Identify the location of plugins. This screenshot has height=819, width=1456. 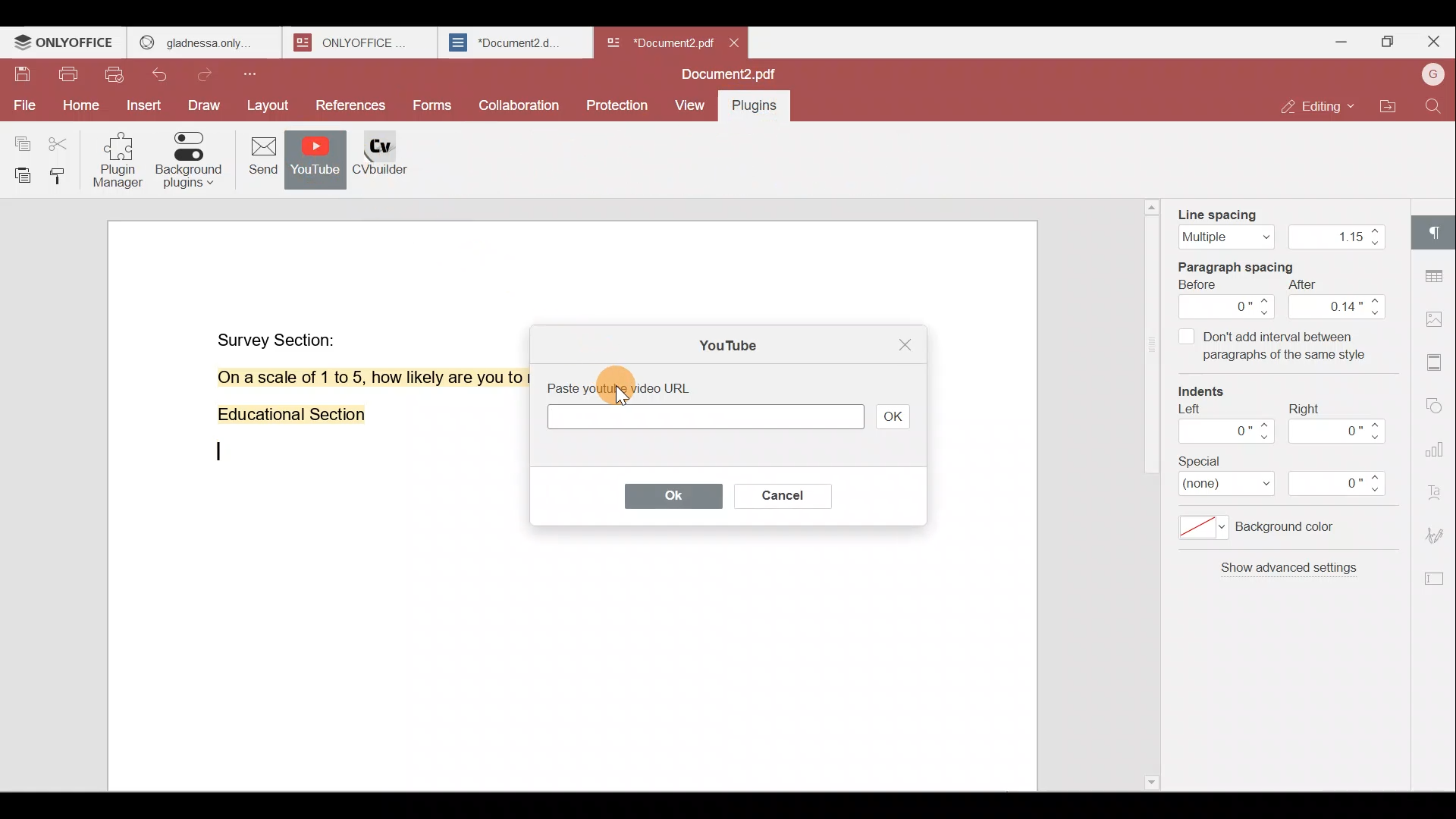
(762, 108).